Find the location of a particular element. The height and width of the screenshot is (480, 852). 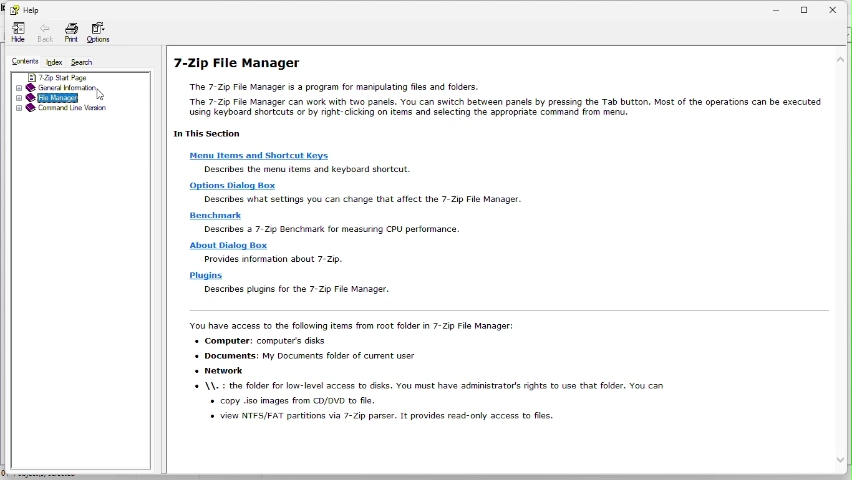

Describes a 7-zip Benchmark for measuring CPU performance is located at coordinates (335, 230).